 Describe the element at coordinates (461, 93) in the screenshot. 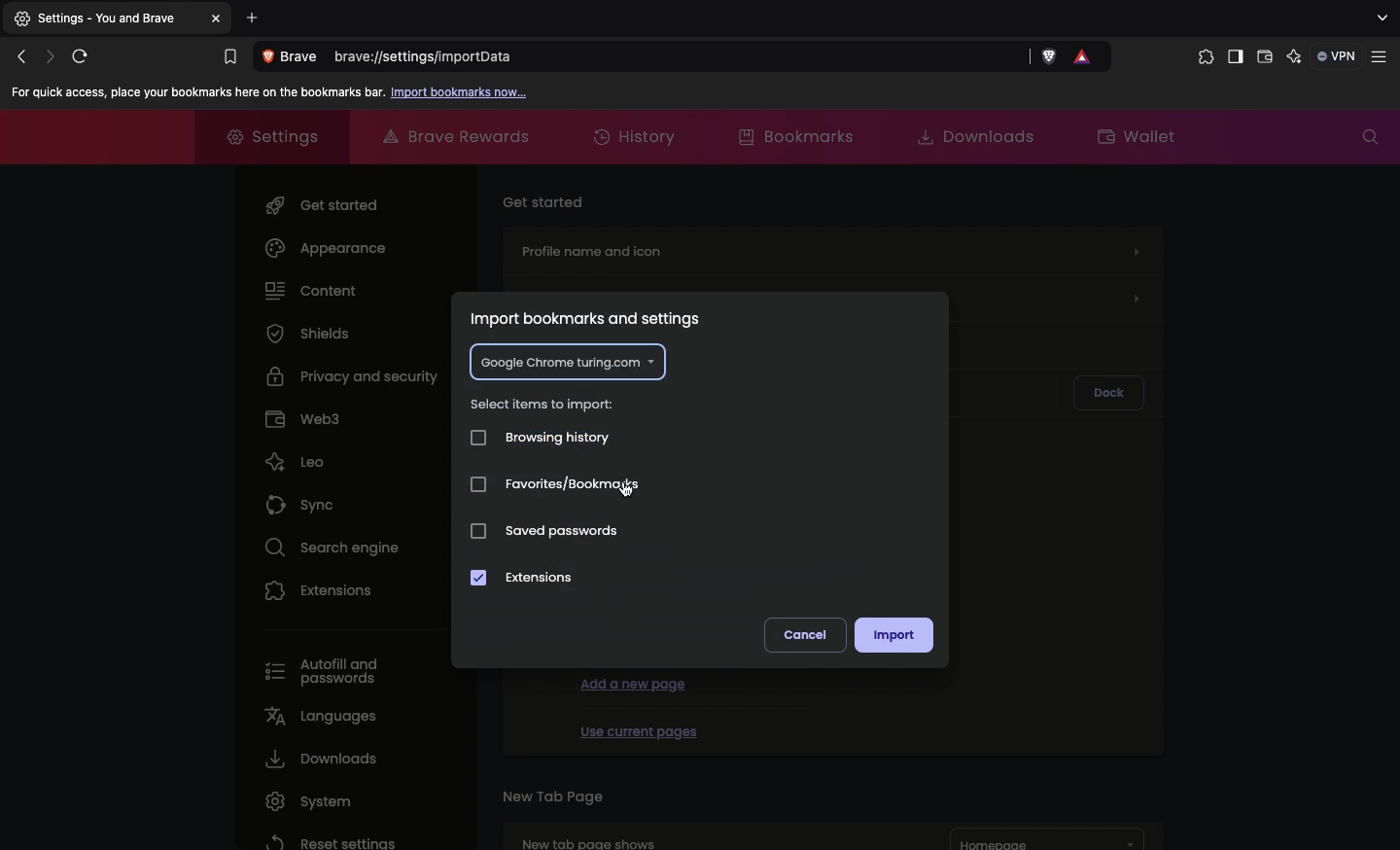

I see `Import bookmarks now` at that location.